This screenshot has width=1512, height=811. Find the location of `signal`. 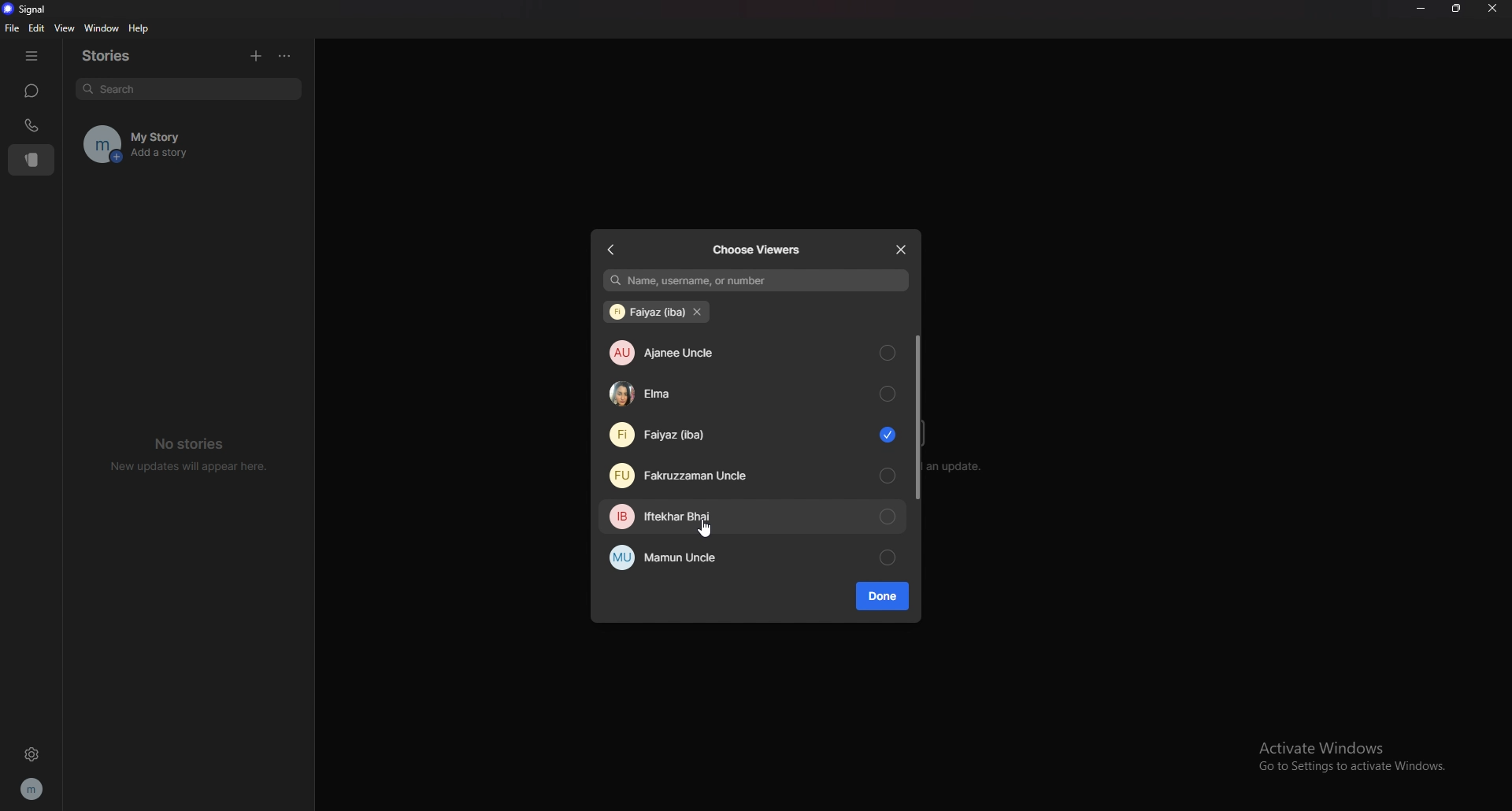

signal is located at coordinates (28, 9).